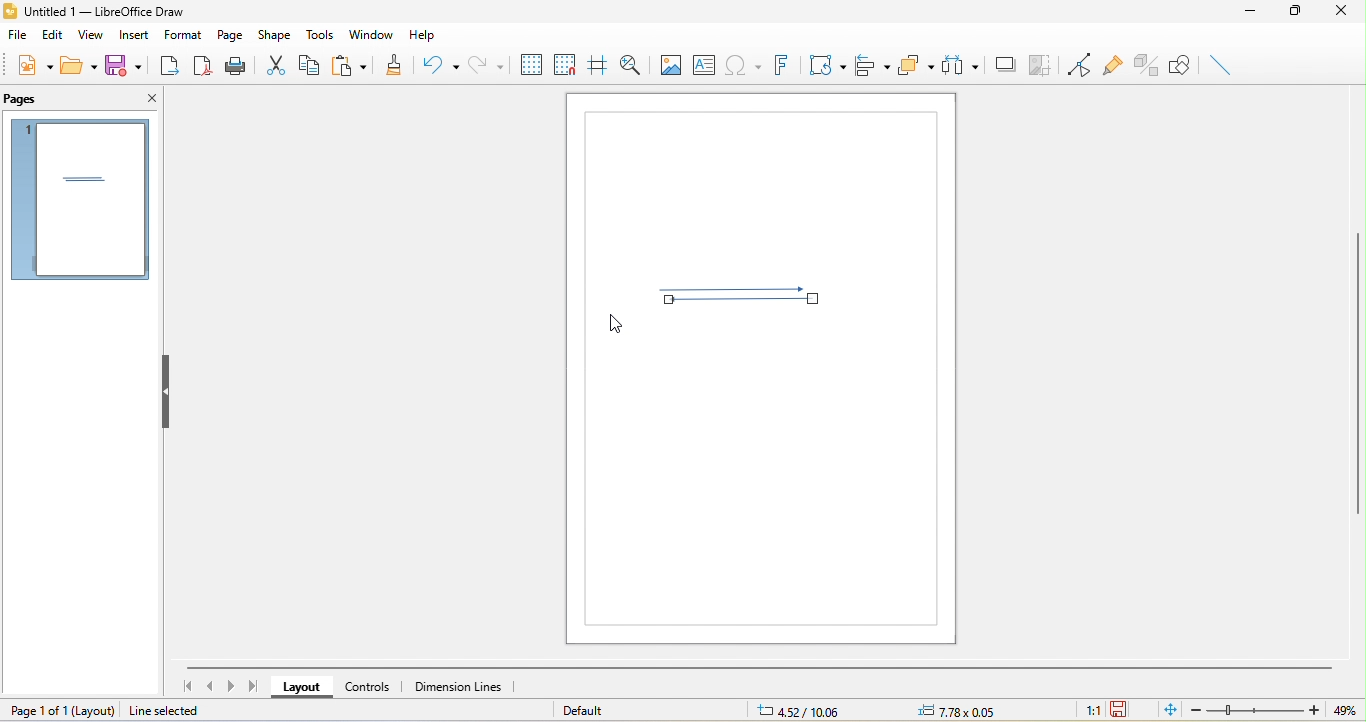 The width and height of the screenshot is (1366, 722). What do you see at coordinates (1345, 13) in the screenshot?
I see `close` at bounding box center [1345, 13].